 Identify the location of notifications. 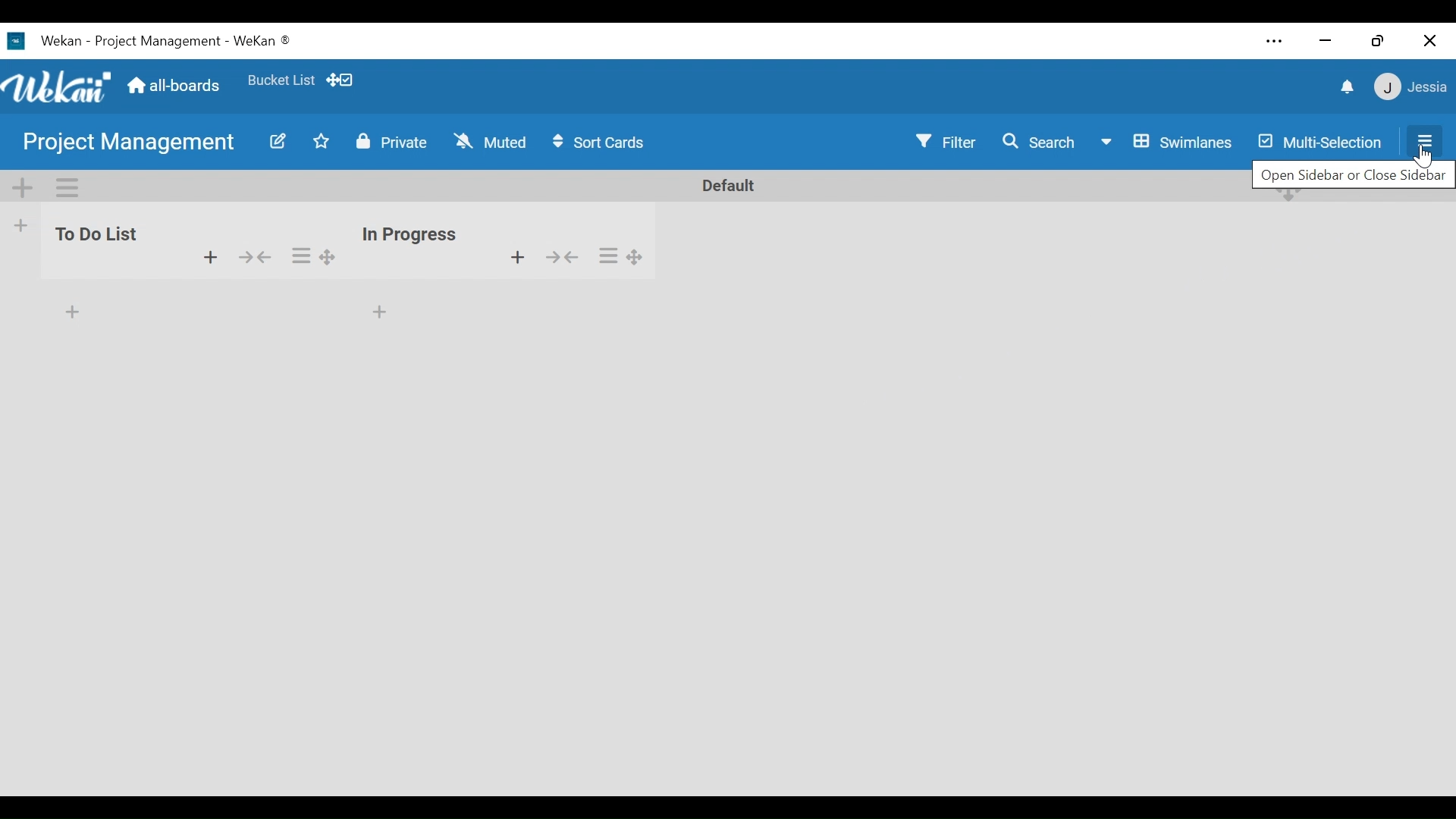
(1345, 88).